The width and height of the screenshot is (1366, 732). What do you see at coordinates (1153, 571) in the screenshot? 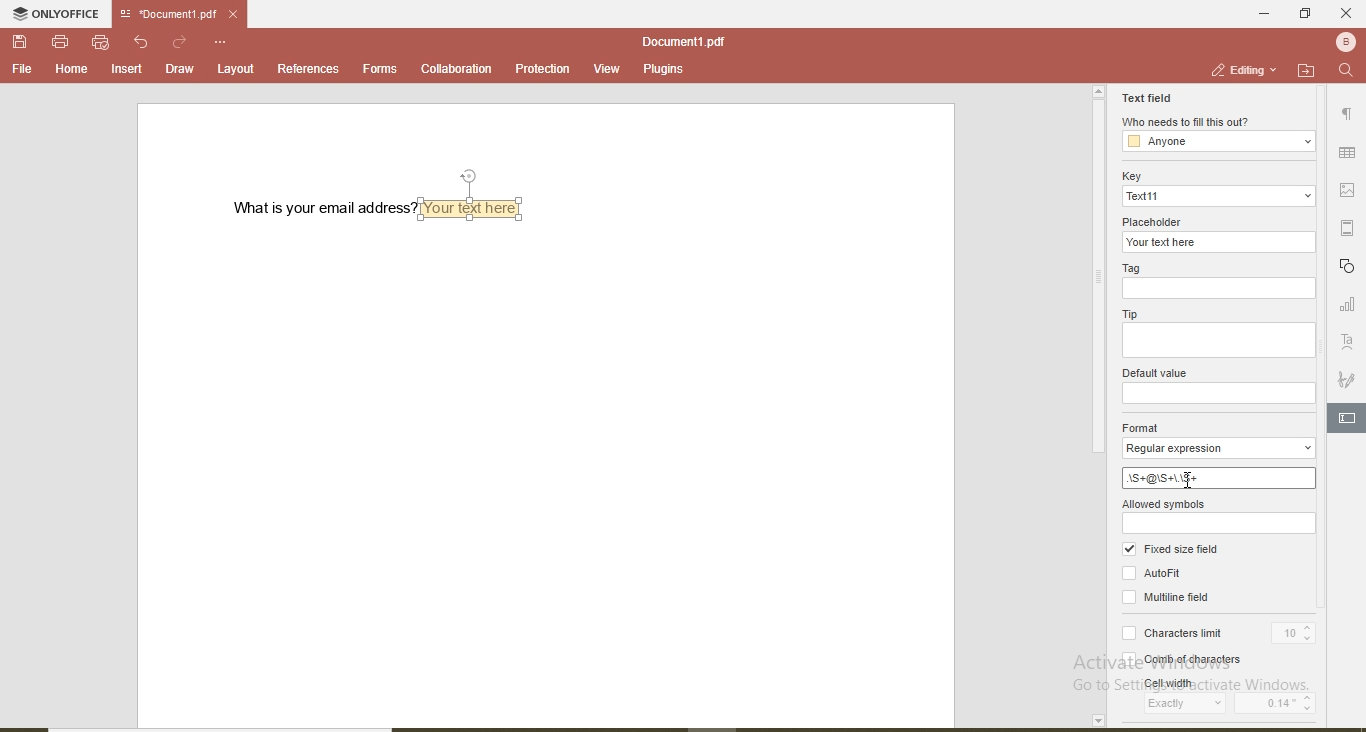
I see `Autofit` at bounding box center [1153, 571].